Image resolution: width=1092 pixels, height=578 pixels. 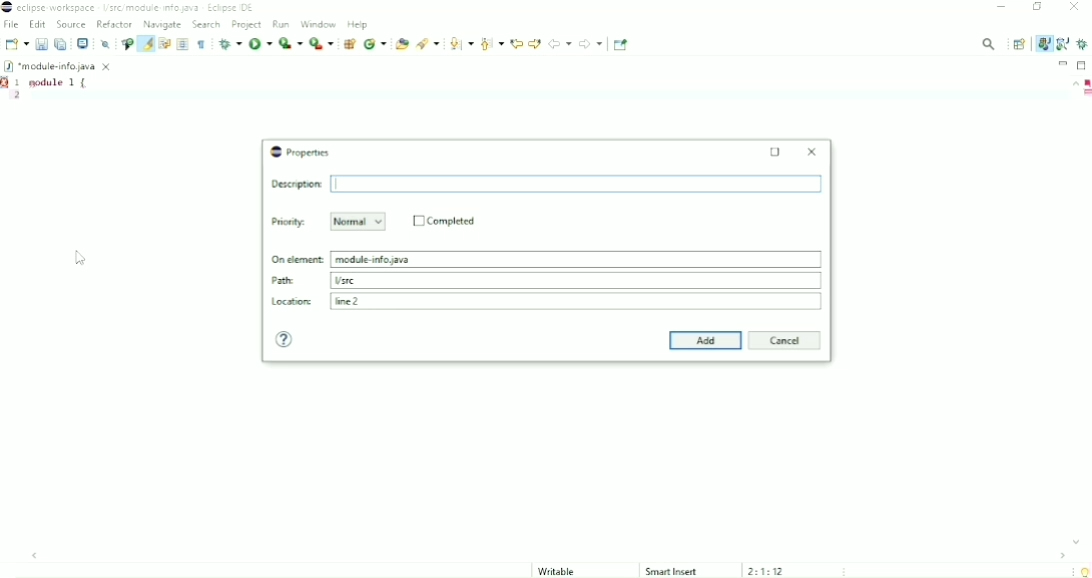 What do you see at coordinates (290, 43) in the screenshot?
I see `Coverage` at bounding box center [290, 43].